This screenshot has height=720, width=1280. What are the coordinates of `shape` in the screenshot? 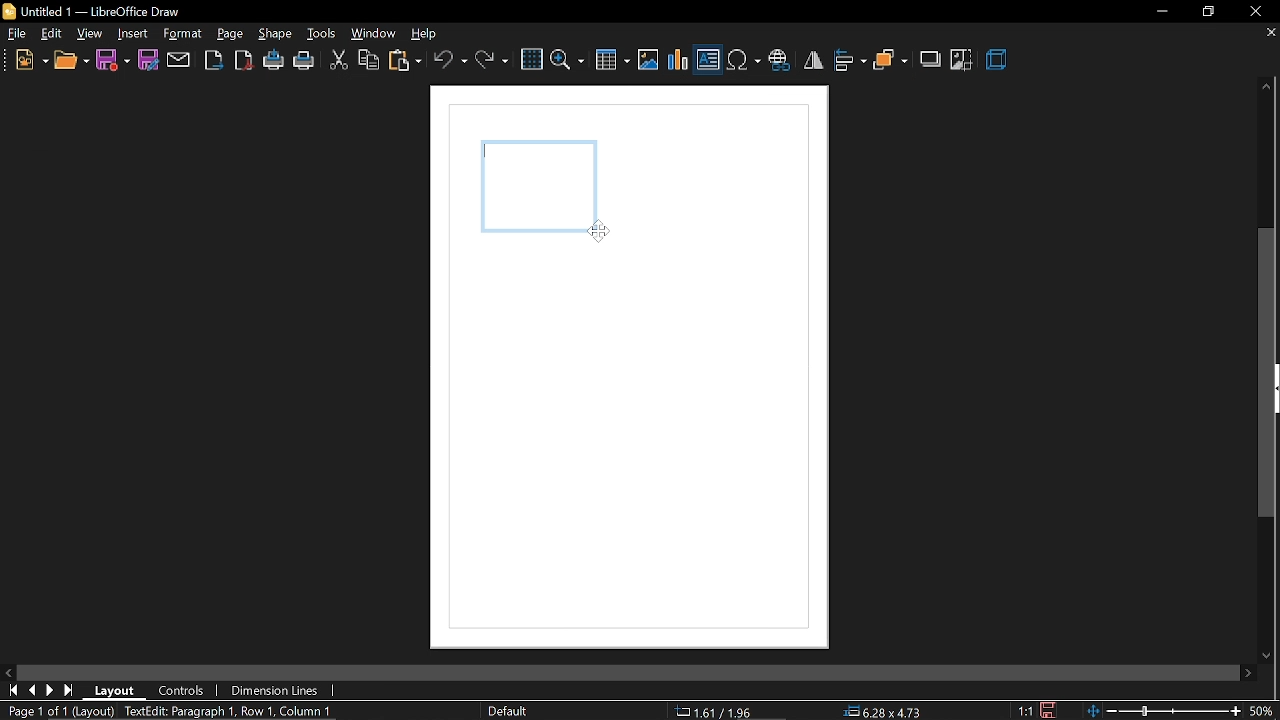 It's located at (277, 35).